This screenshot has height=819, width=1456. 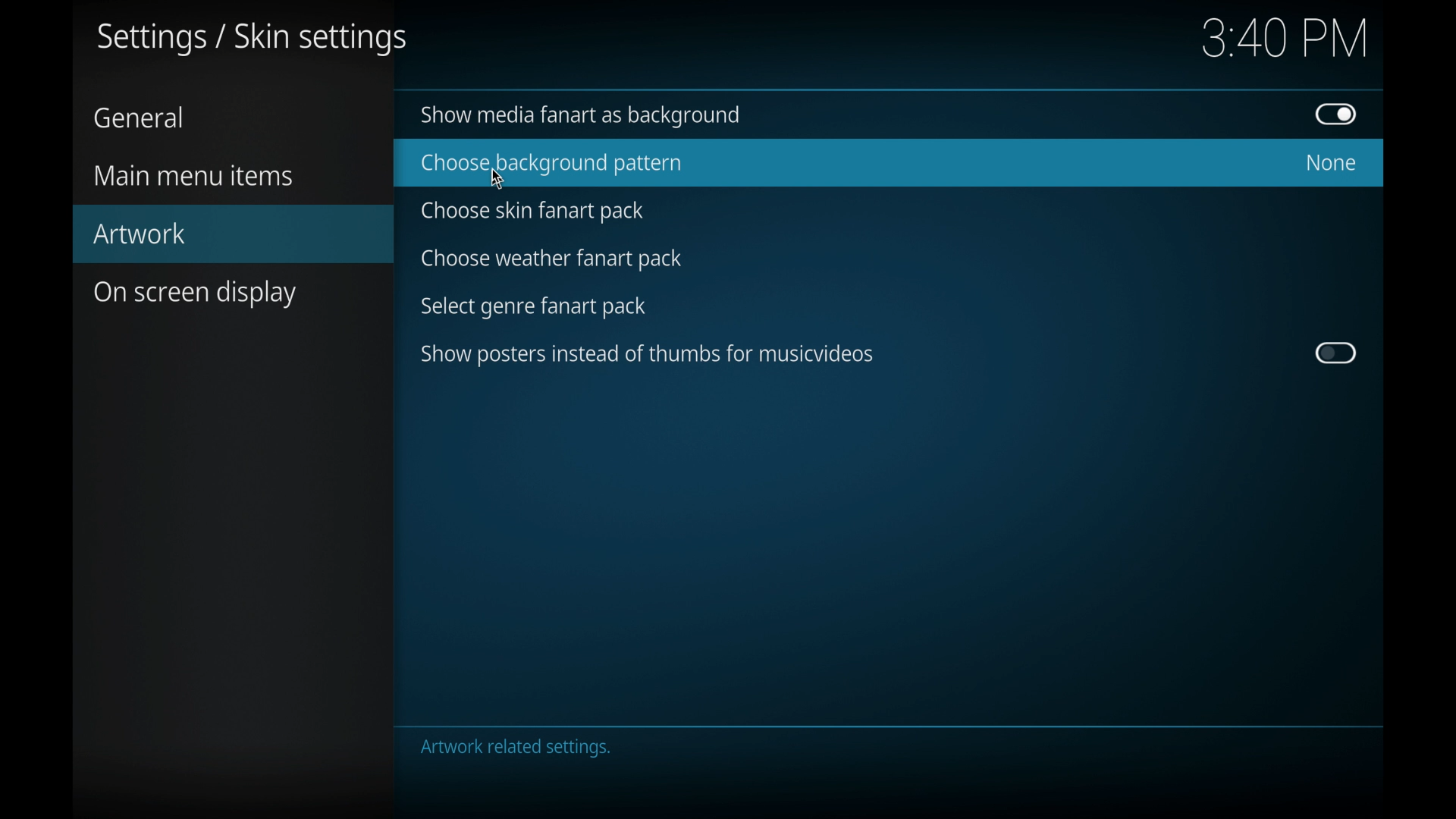 What do you see at coordinates (649, 355) in the screenshot?
I see `show posters instead of thumbs for music videos` at bounding box center [649, 355].